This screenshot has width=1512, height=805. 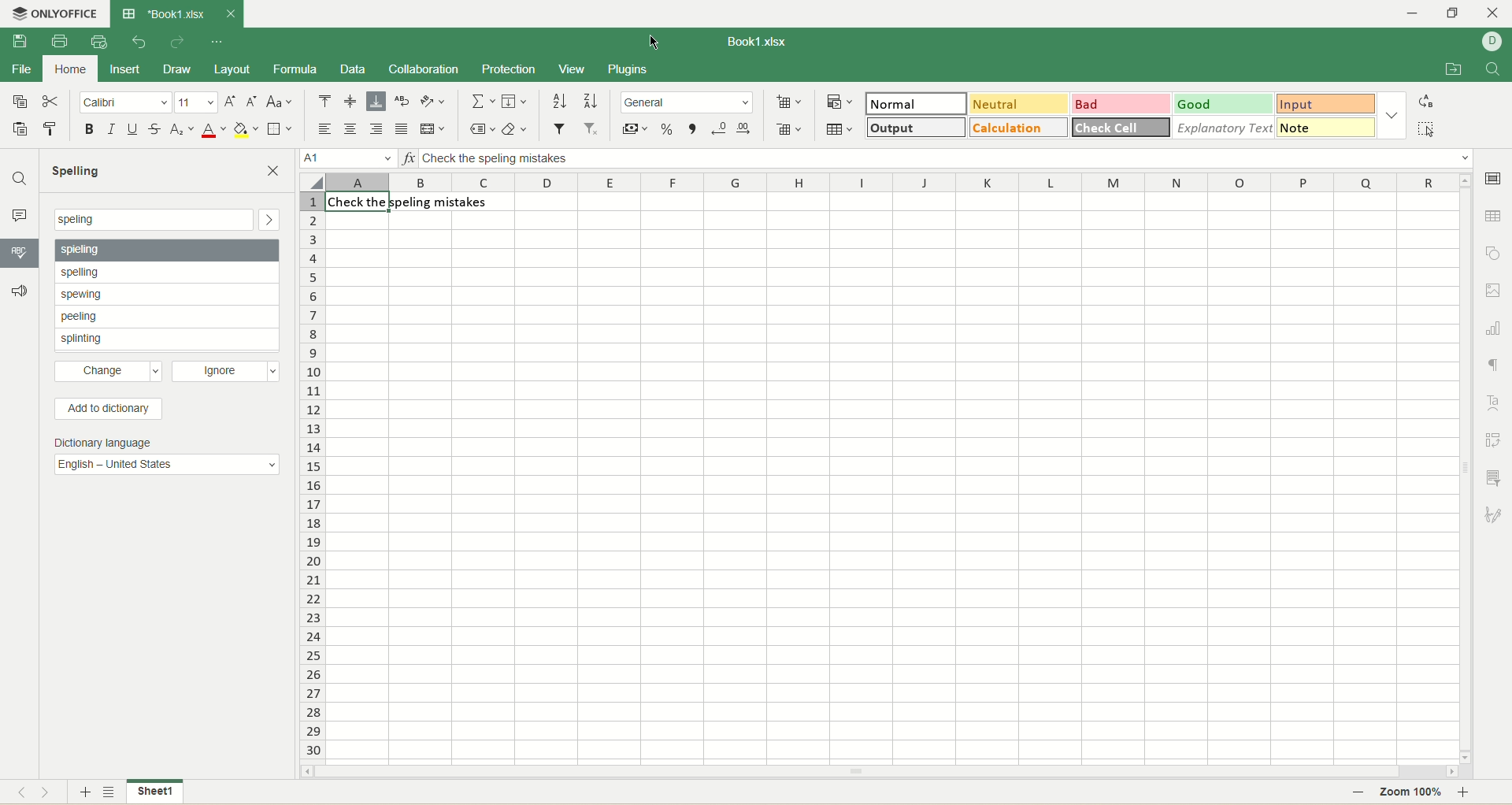 What do you see at coordinates (1463, 792) in the screenshot?
I see `zoom in` at bounding box center [1463, 792].